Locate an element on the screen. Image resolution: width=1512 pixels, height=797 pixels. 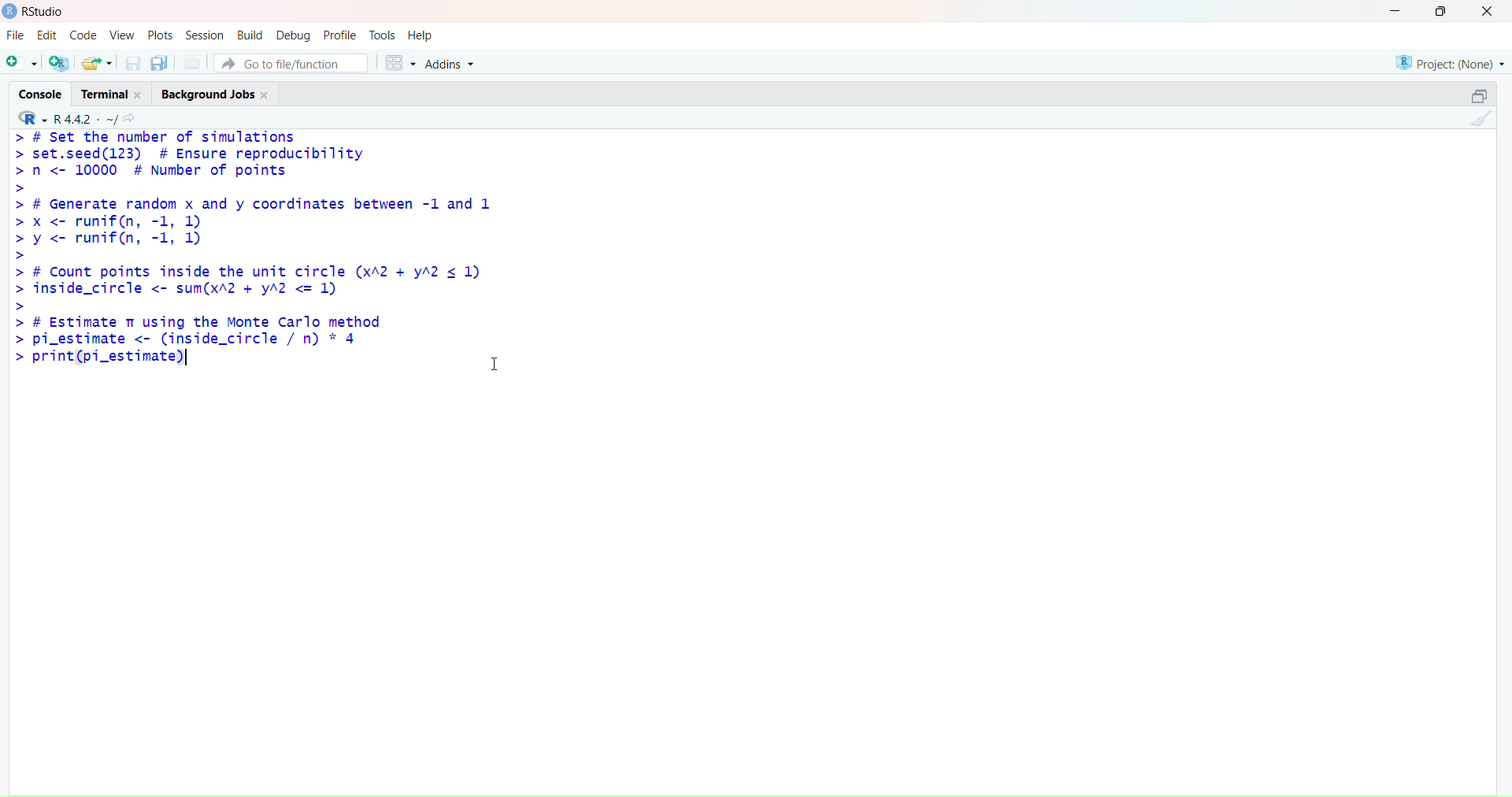
Minimize is located at coordinates (1395, 11).